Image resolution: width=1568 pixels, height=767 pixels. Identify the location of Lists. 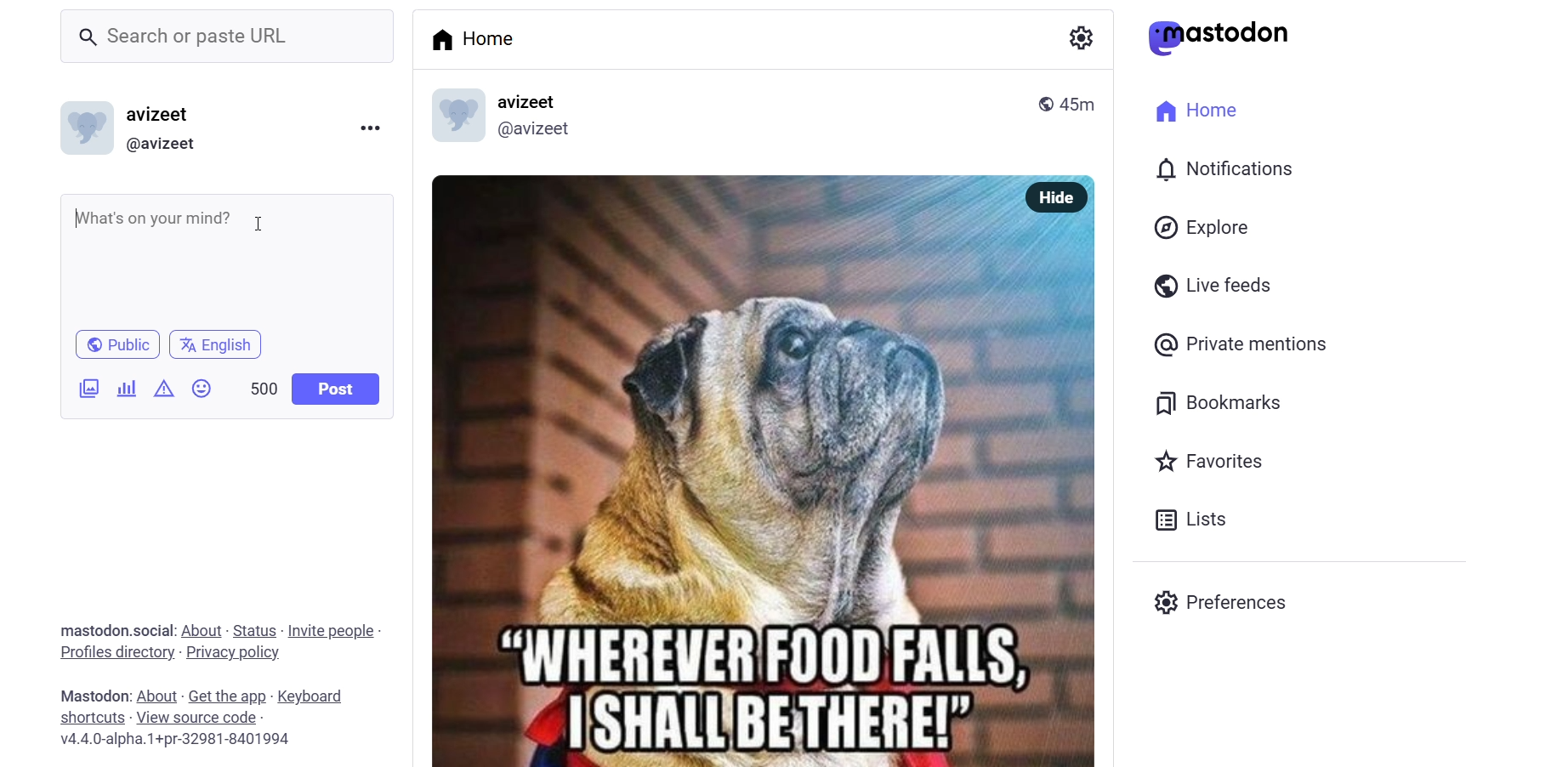
(1197, 523).